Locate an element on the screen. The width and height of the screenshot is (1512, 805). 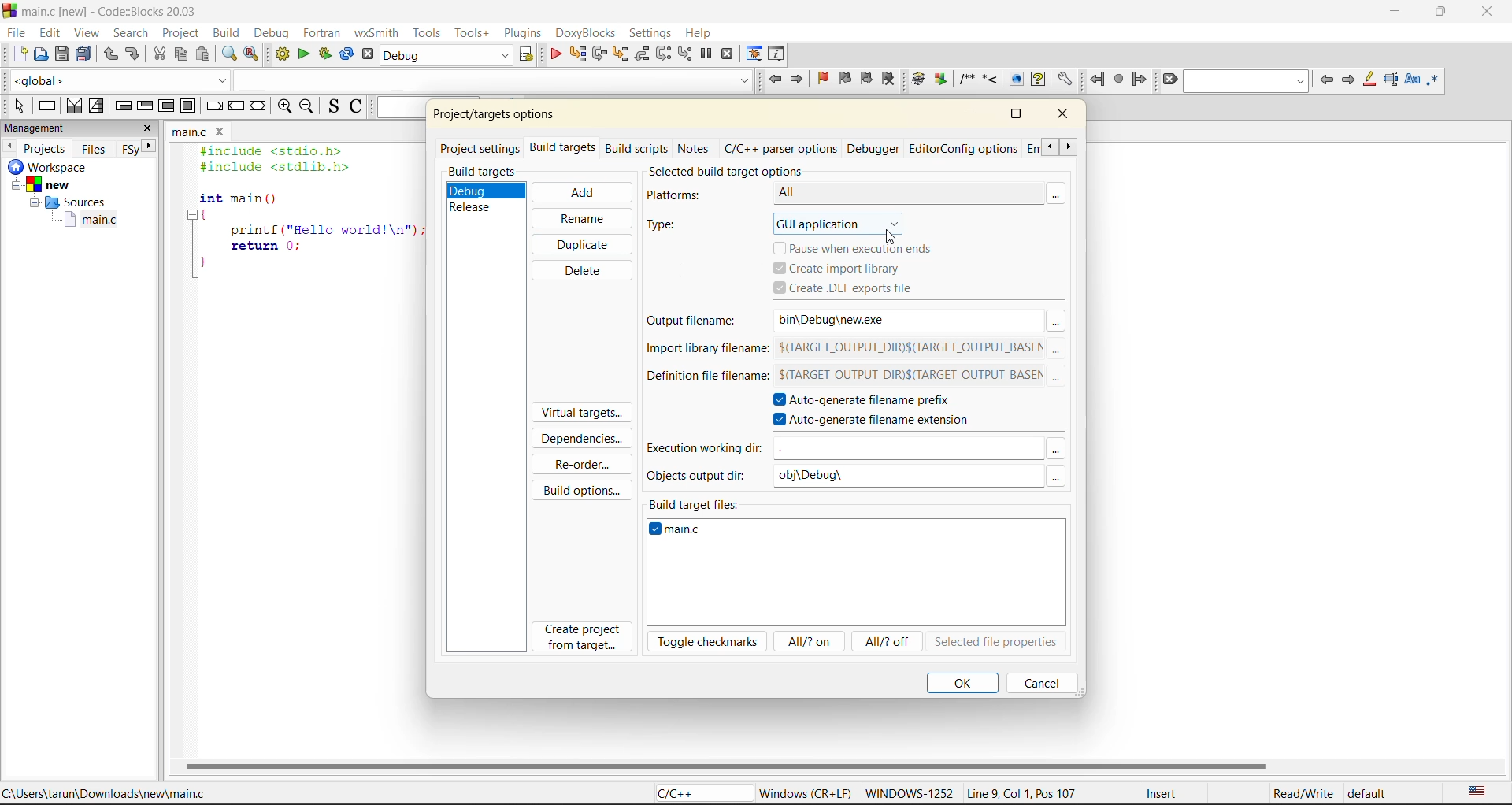
type is located at coordinates (673, 226).